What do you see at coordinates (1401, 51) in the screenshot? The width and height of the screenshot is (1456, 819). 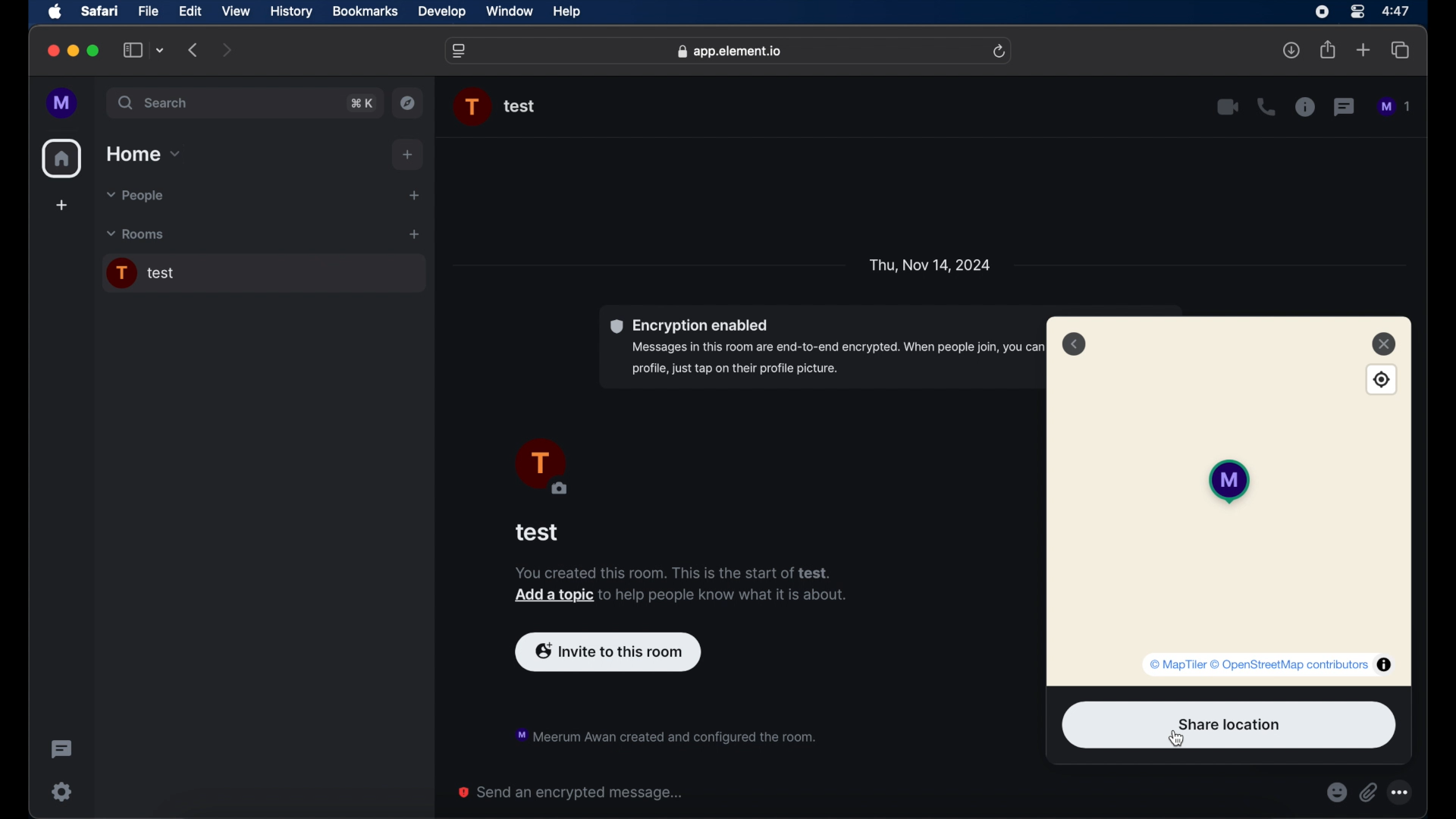 I see `show tab overview` at bounding box center [1401, 51].